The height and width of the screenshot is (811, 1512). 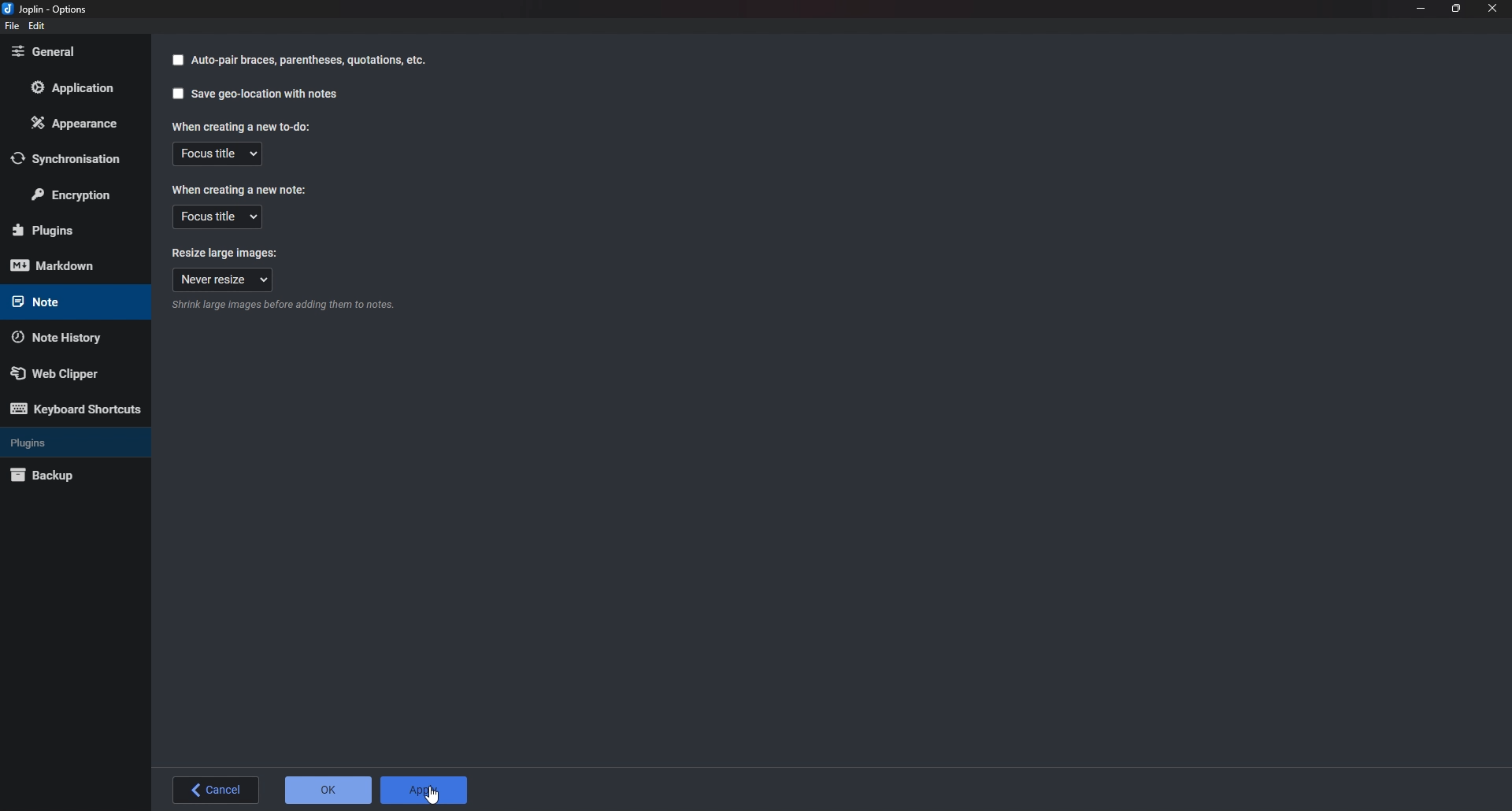 I want to click on checkbox, so click(x=177, y=61).